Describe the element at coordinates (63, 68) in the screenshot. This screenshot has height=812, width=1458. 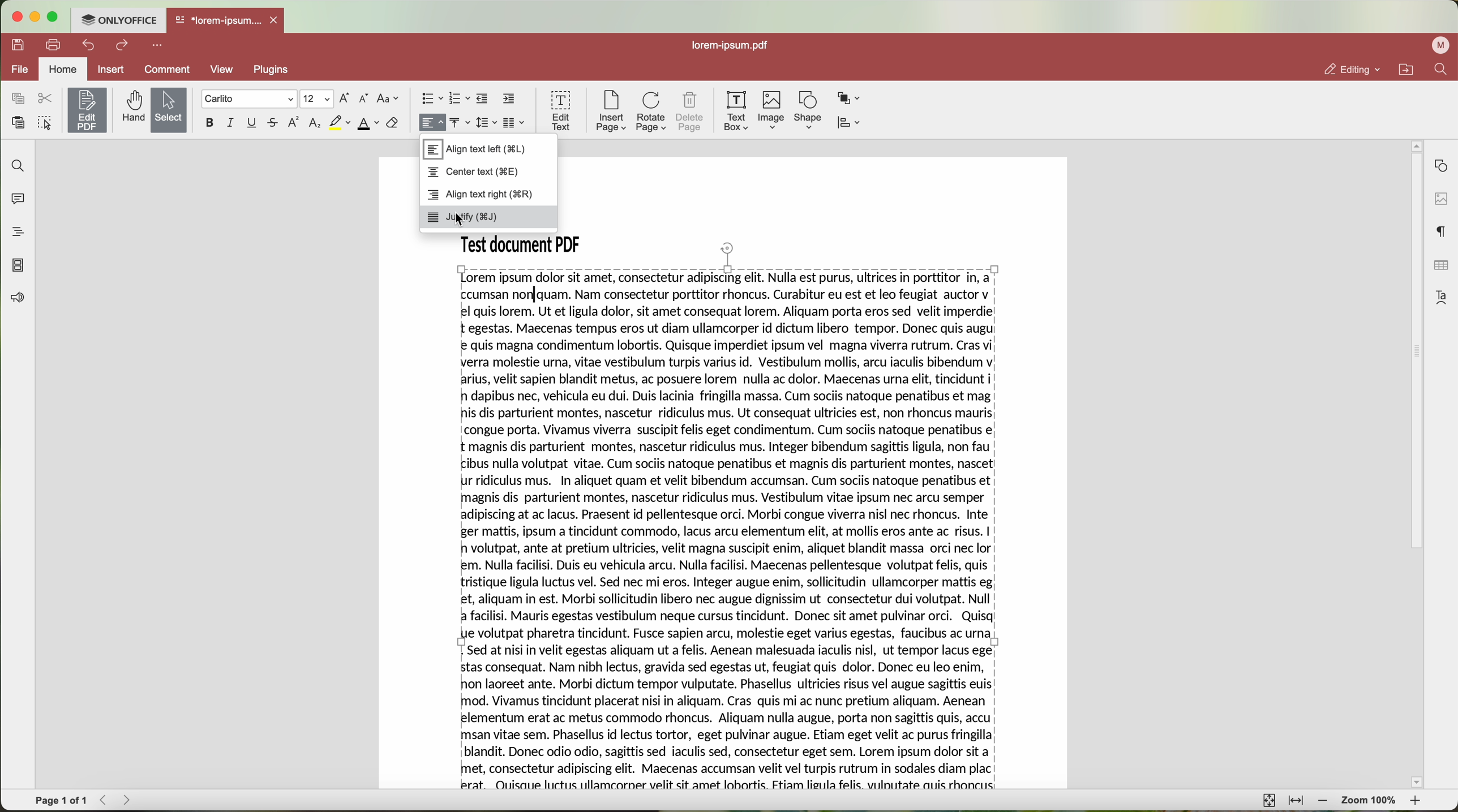
I see `home` at that location.